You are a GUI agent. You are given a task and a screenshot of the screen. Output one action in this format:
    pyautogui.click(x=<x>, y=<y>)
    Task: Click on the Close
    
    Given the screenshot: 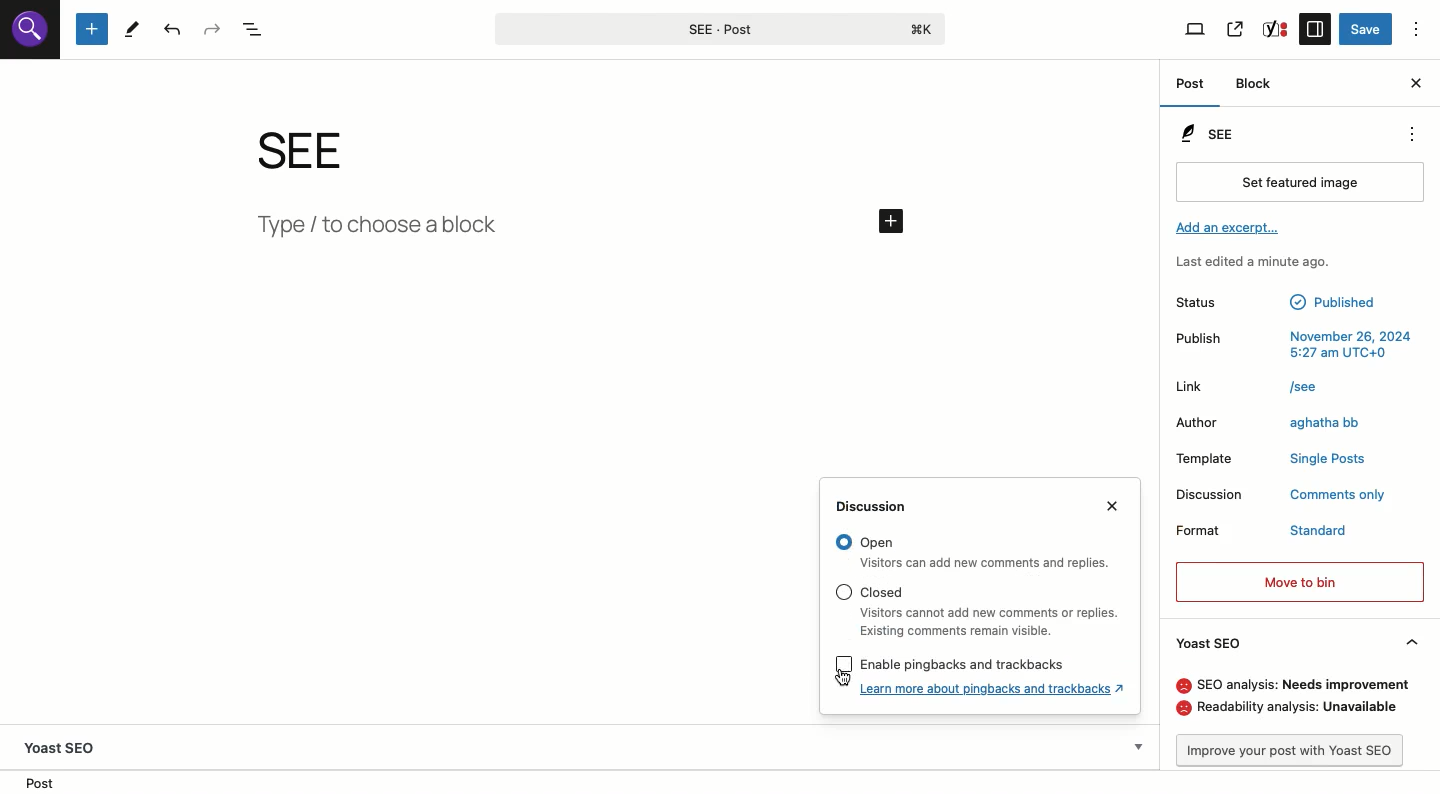 What is the action you would take?
    pyautogui.click(x=1416, y=84)
    